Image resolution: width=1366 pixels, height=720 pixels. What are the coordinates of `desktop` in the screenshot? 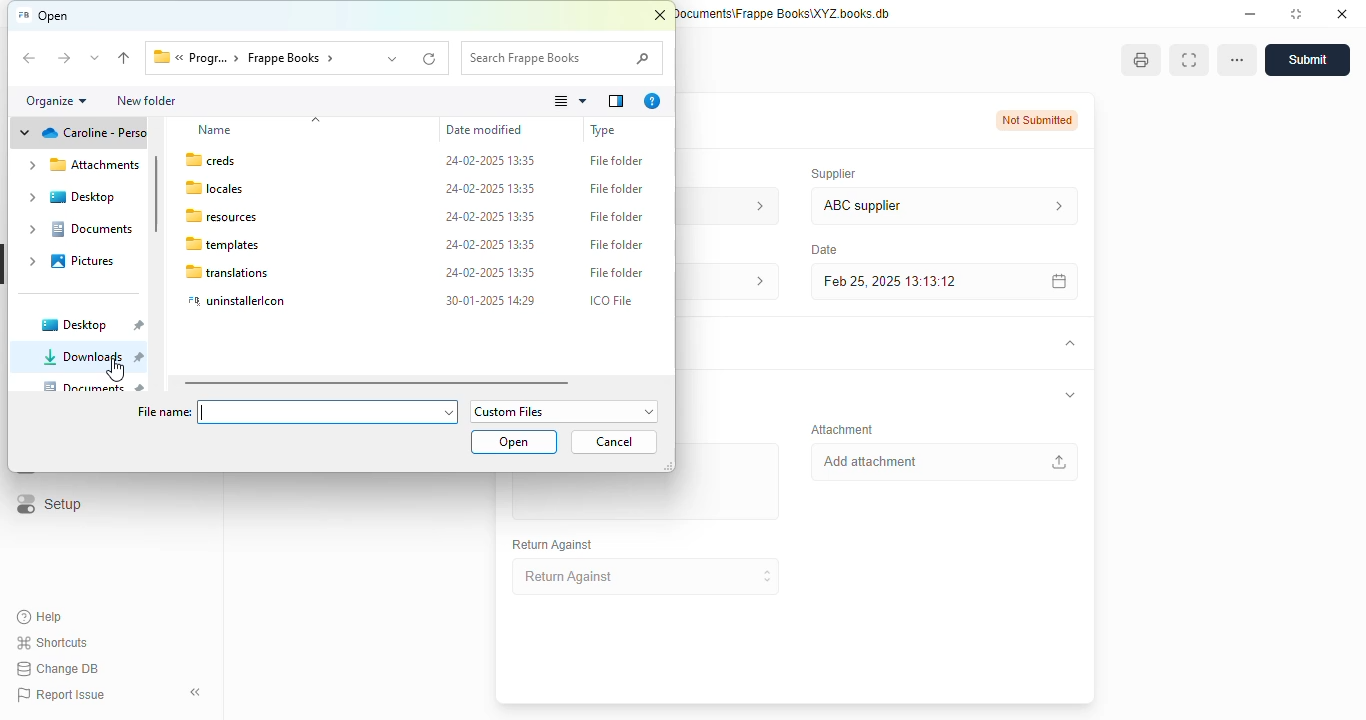 It's located at (69, 197).